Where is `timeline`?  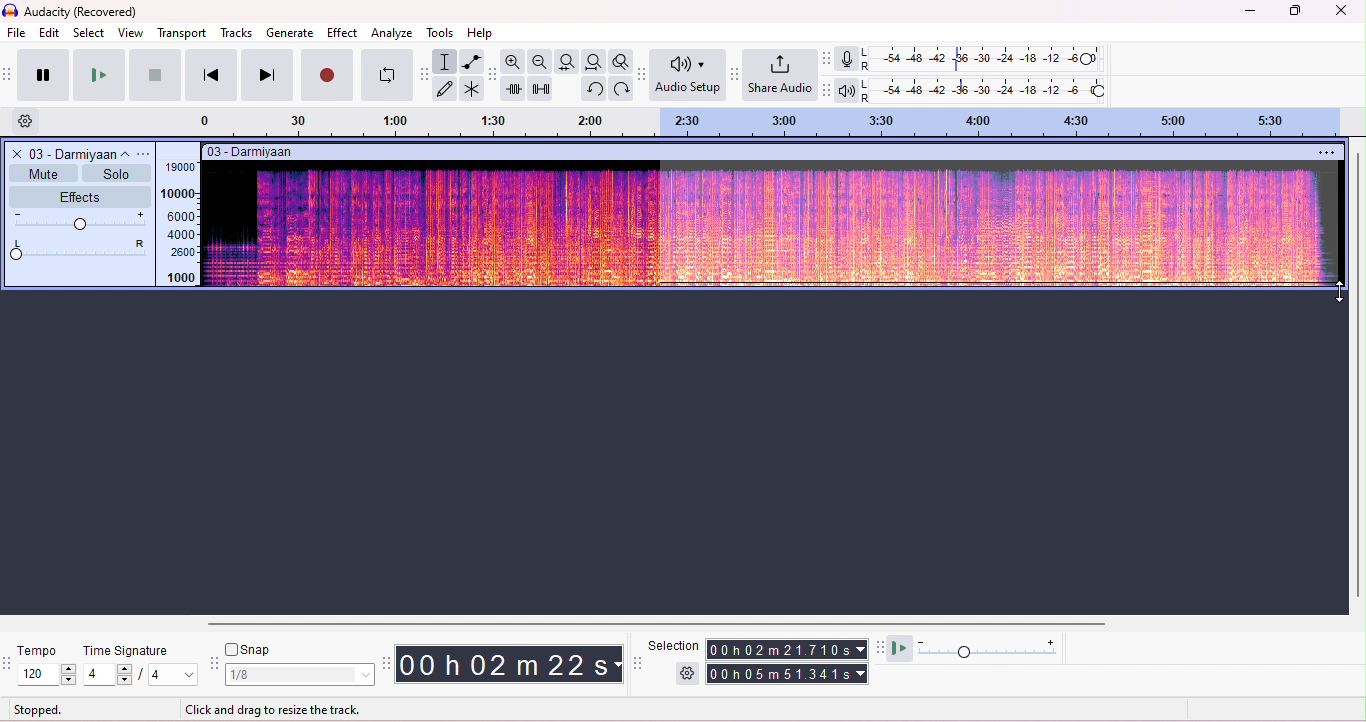
timeline is located at coordinates (779, 122).